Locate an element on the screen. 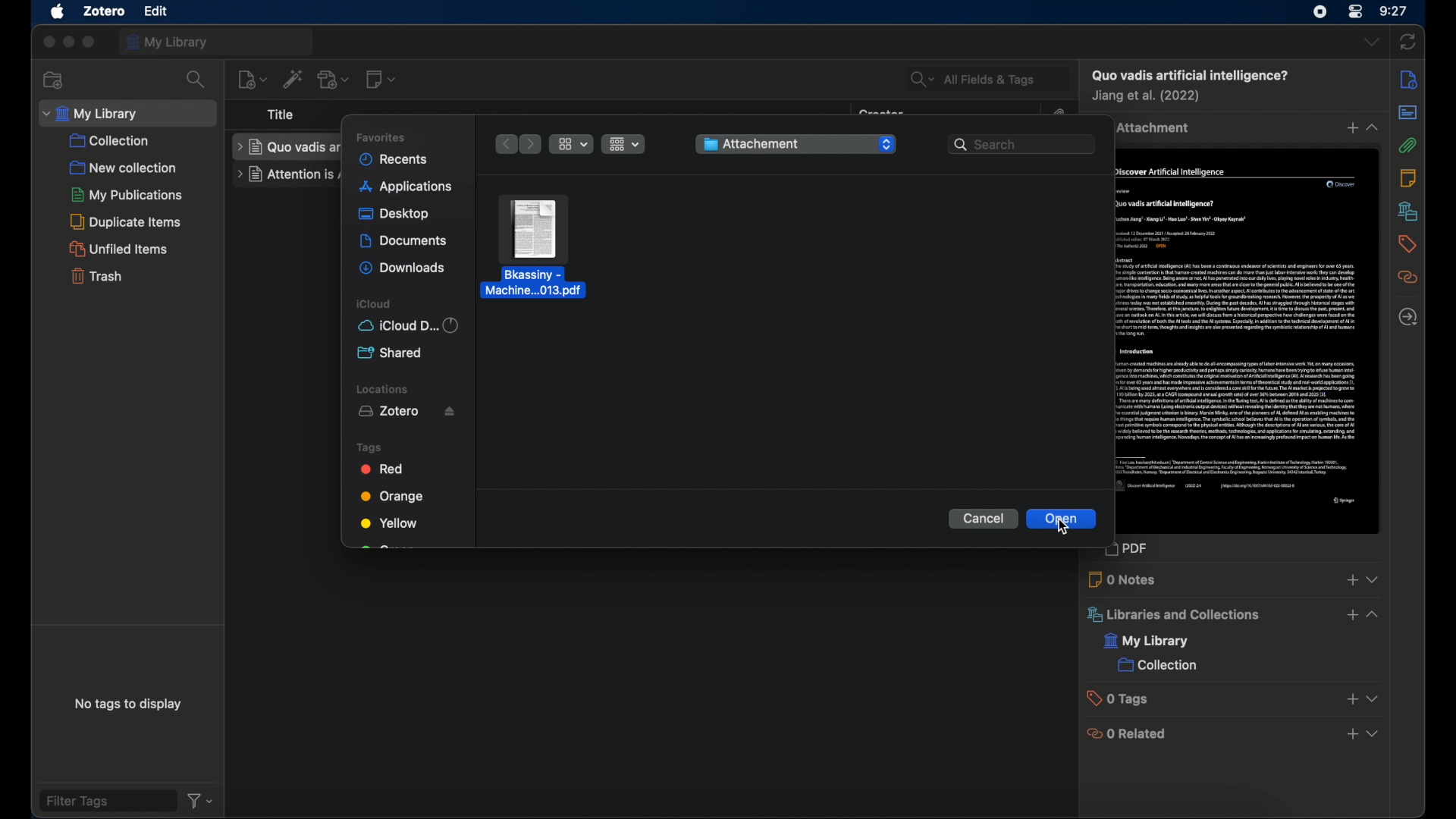 This screenshot has width=1456, height=819. dropdown menu is located at coordinates (1374, 579).